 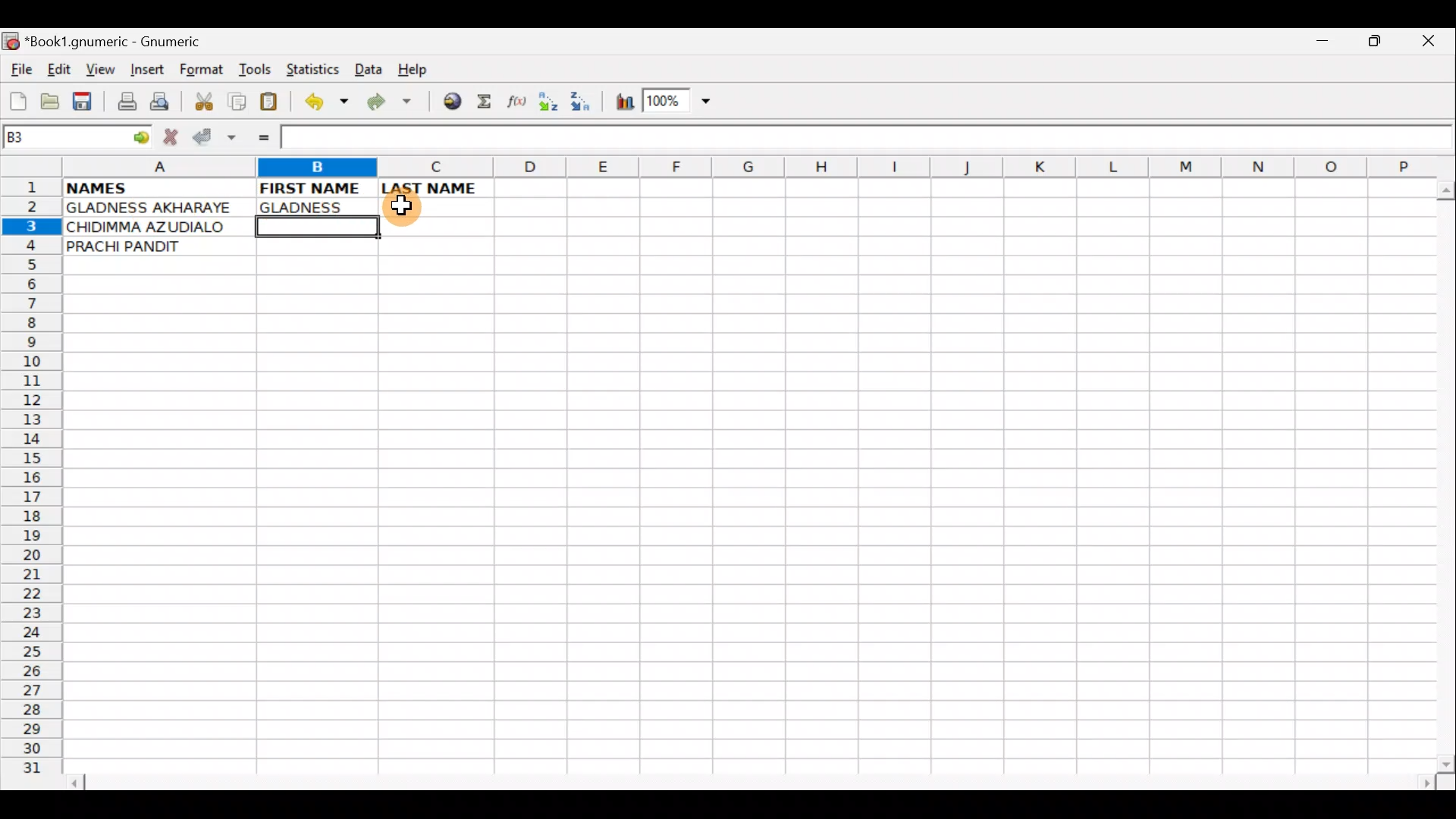 I want to click on Insert Chart, so click(x=620, y=104).